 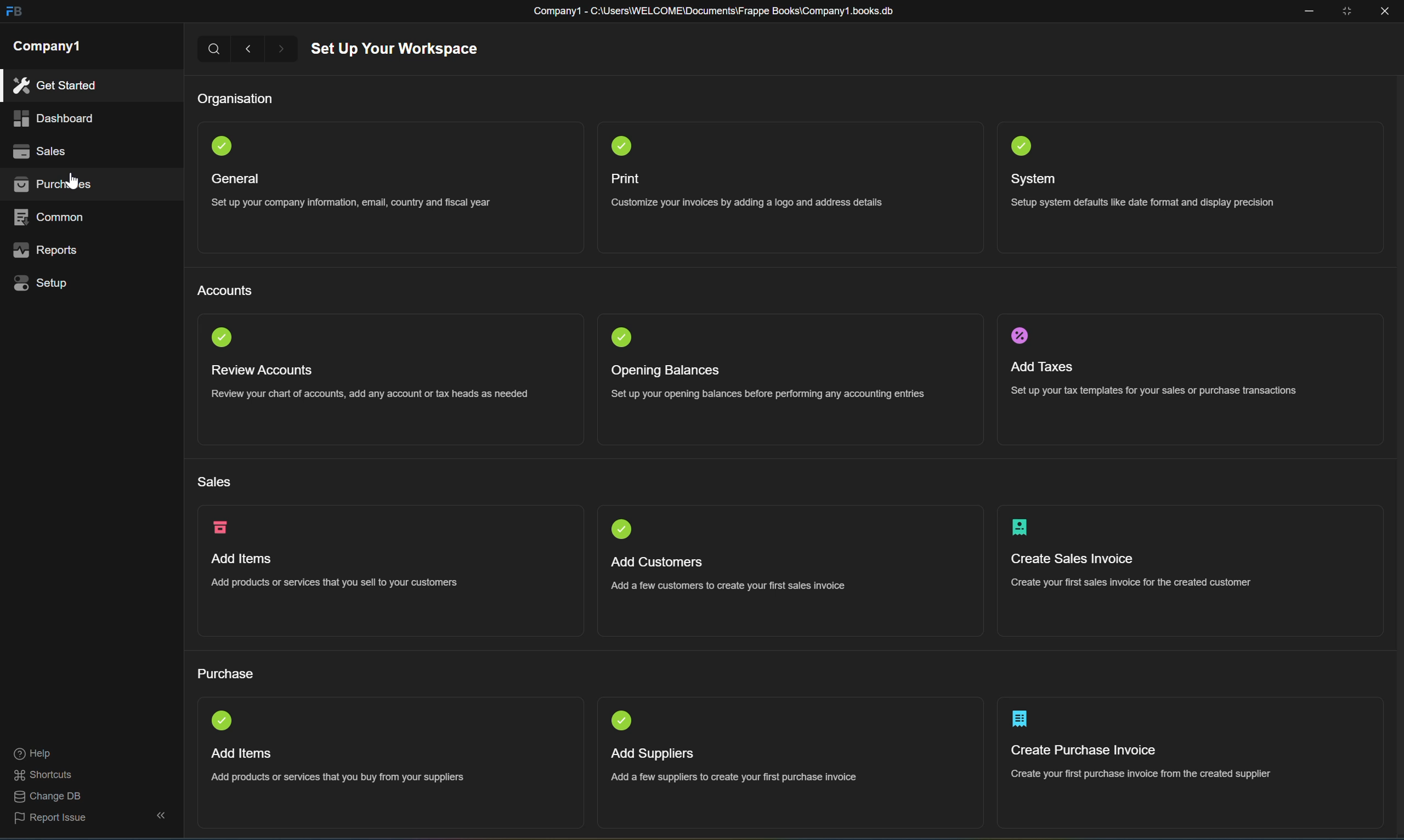 I want to click on setup, so click(x=38, y=282).